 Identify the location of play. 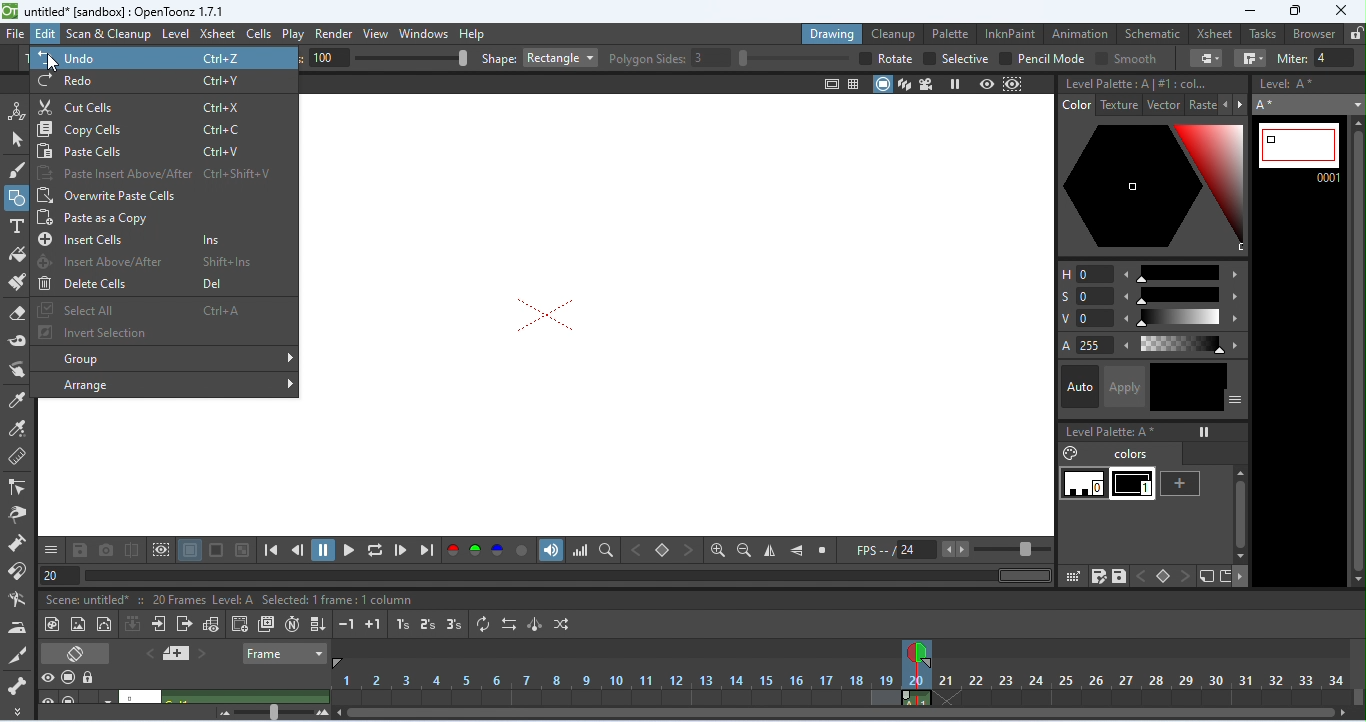
(292, 35).